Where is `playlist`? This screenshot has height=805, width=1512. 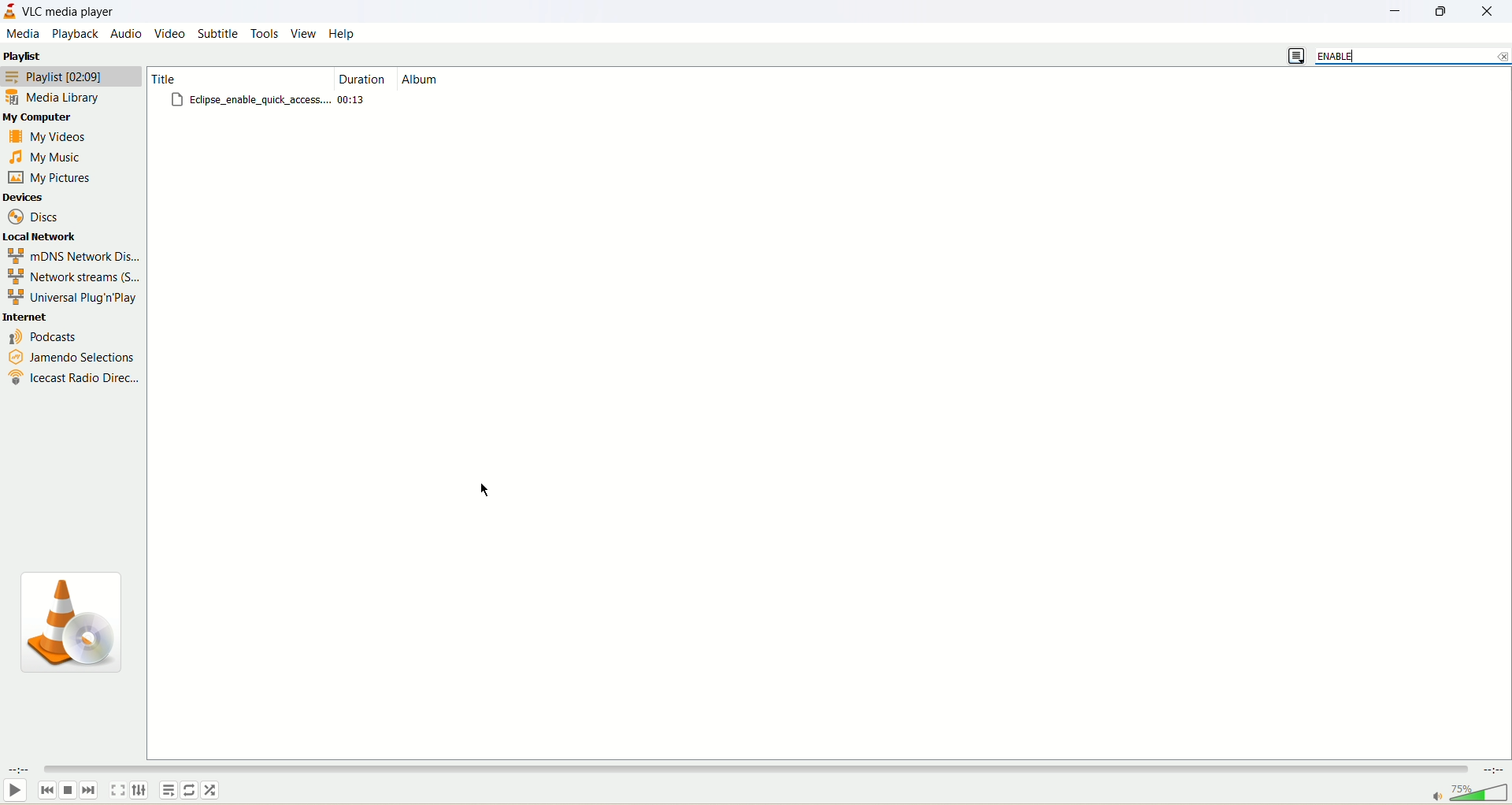
playlist is located at coordinates (28, 56).